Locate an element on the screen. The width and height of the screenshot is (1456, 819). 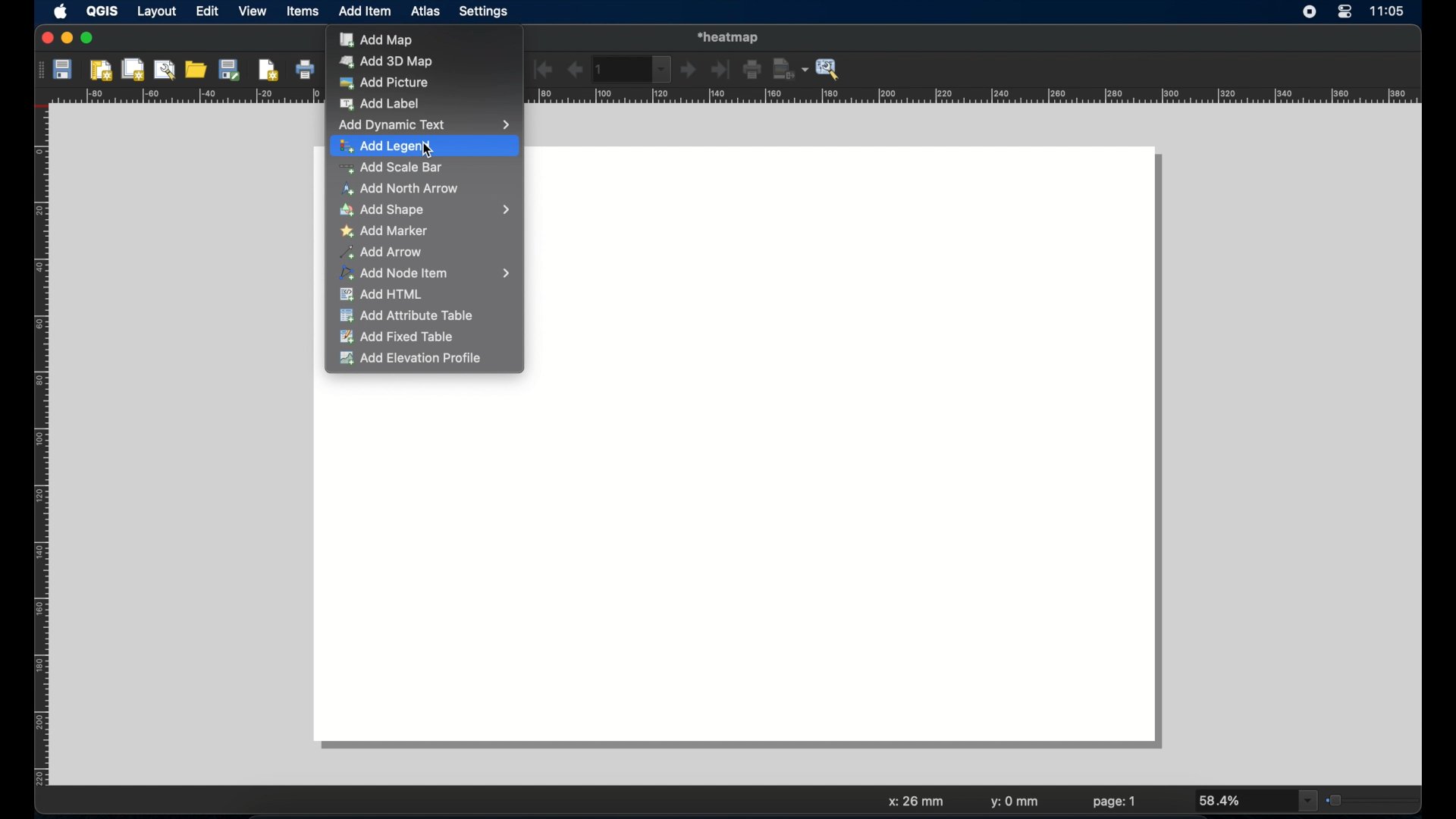
add fixed table is located at coordinates (400, 338).